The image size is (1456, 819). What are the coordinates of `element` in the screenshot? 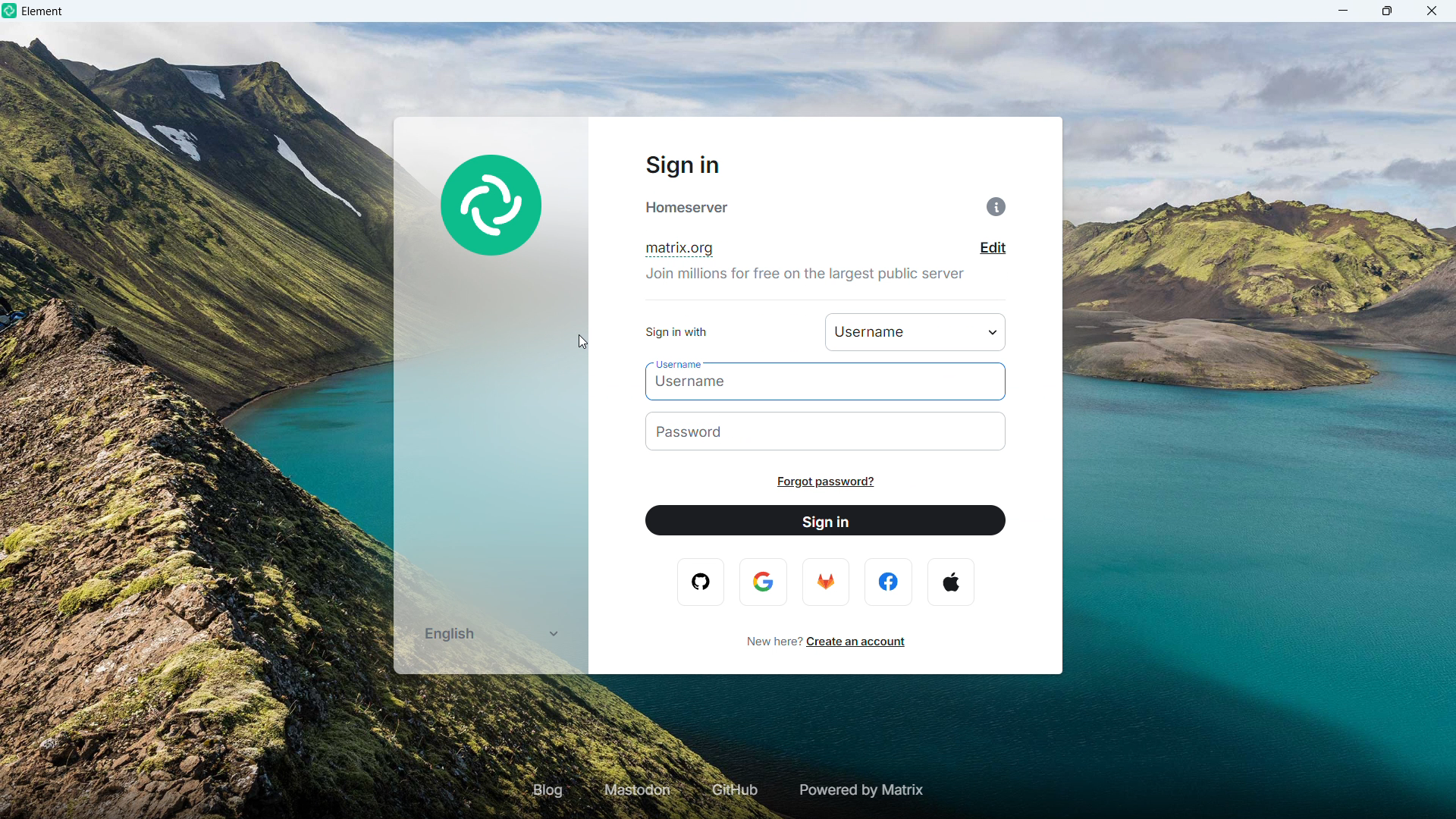 It's located at (43, 13).